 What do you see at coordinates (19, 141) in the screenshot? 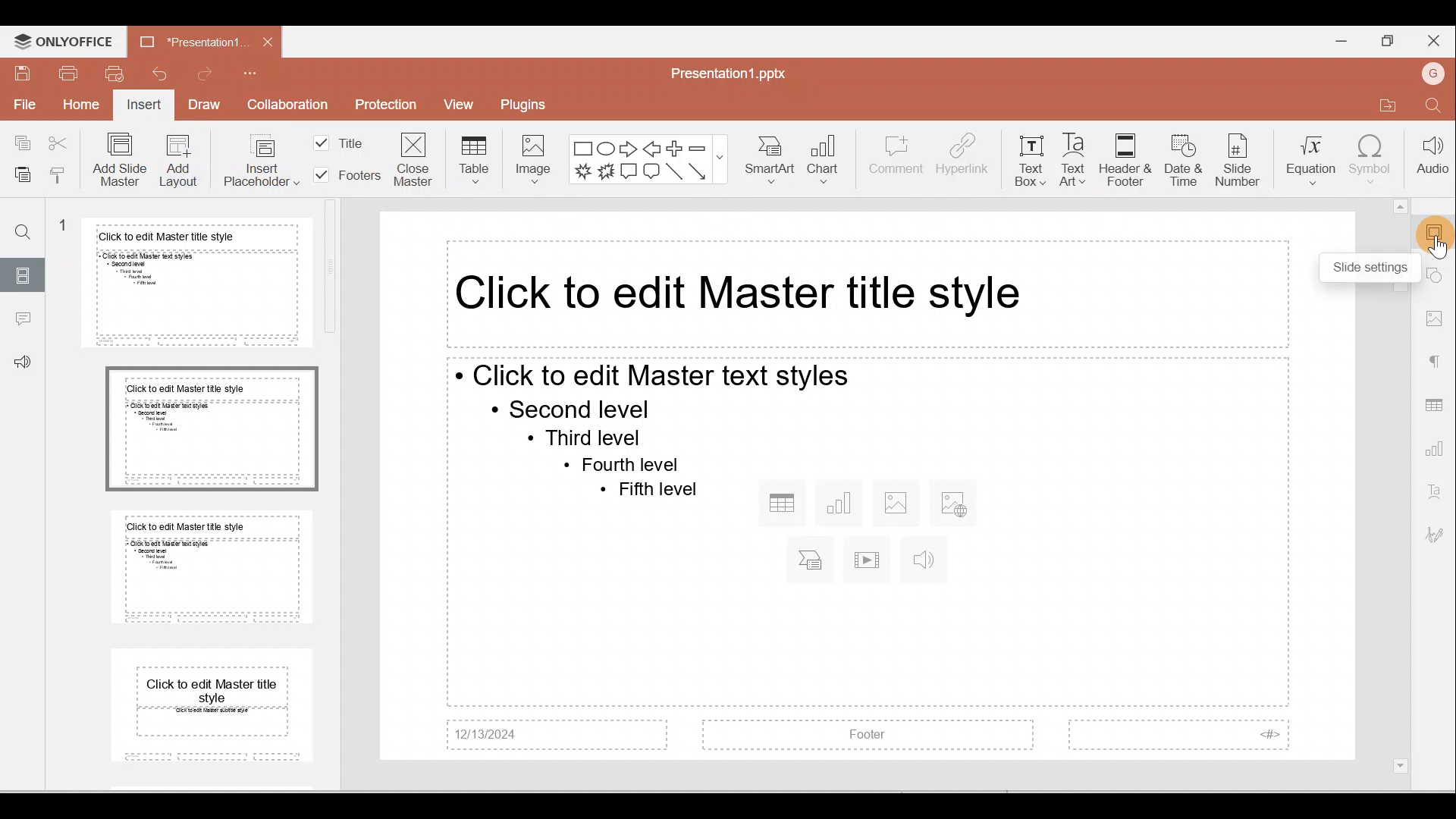
I see `Copy` at bounding box center [19, 141].